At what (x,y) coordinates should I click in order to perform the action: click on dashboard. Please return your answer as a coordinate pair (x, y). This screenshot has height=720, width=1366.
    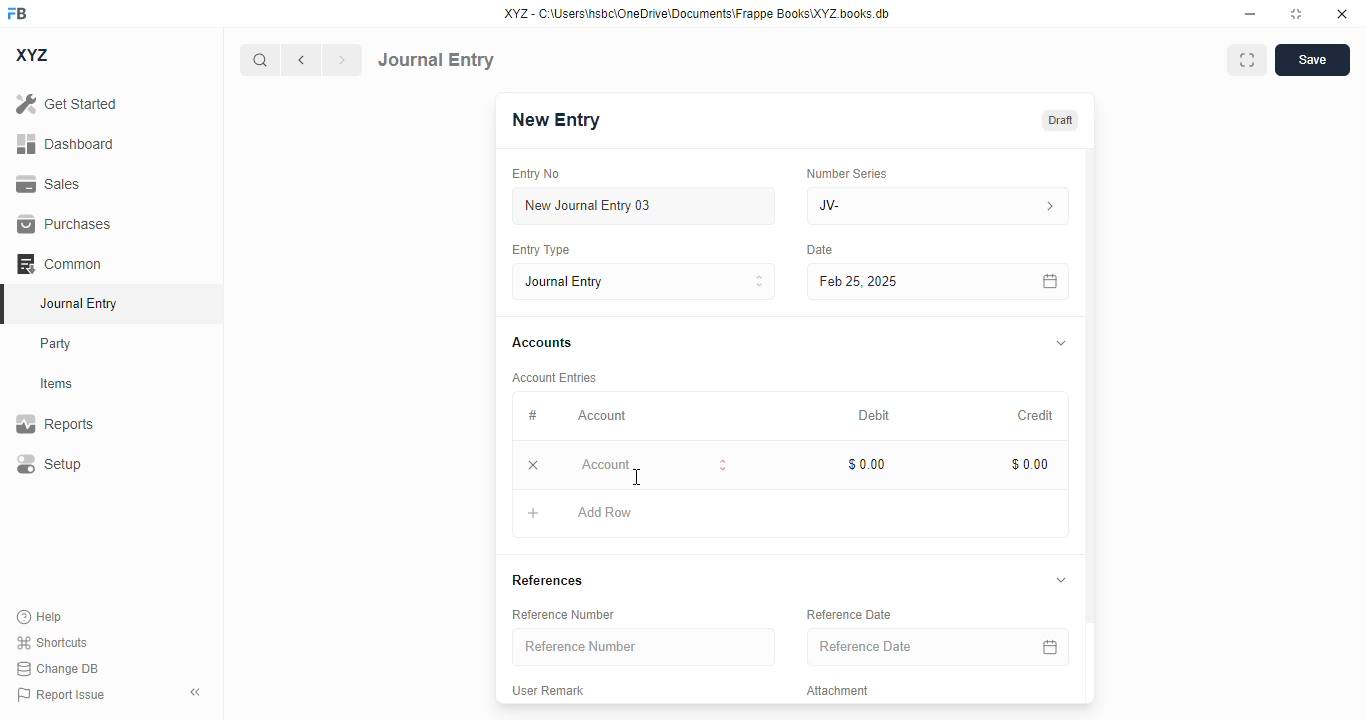
    Looking at the image, I should click on (66, 144).